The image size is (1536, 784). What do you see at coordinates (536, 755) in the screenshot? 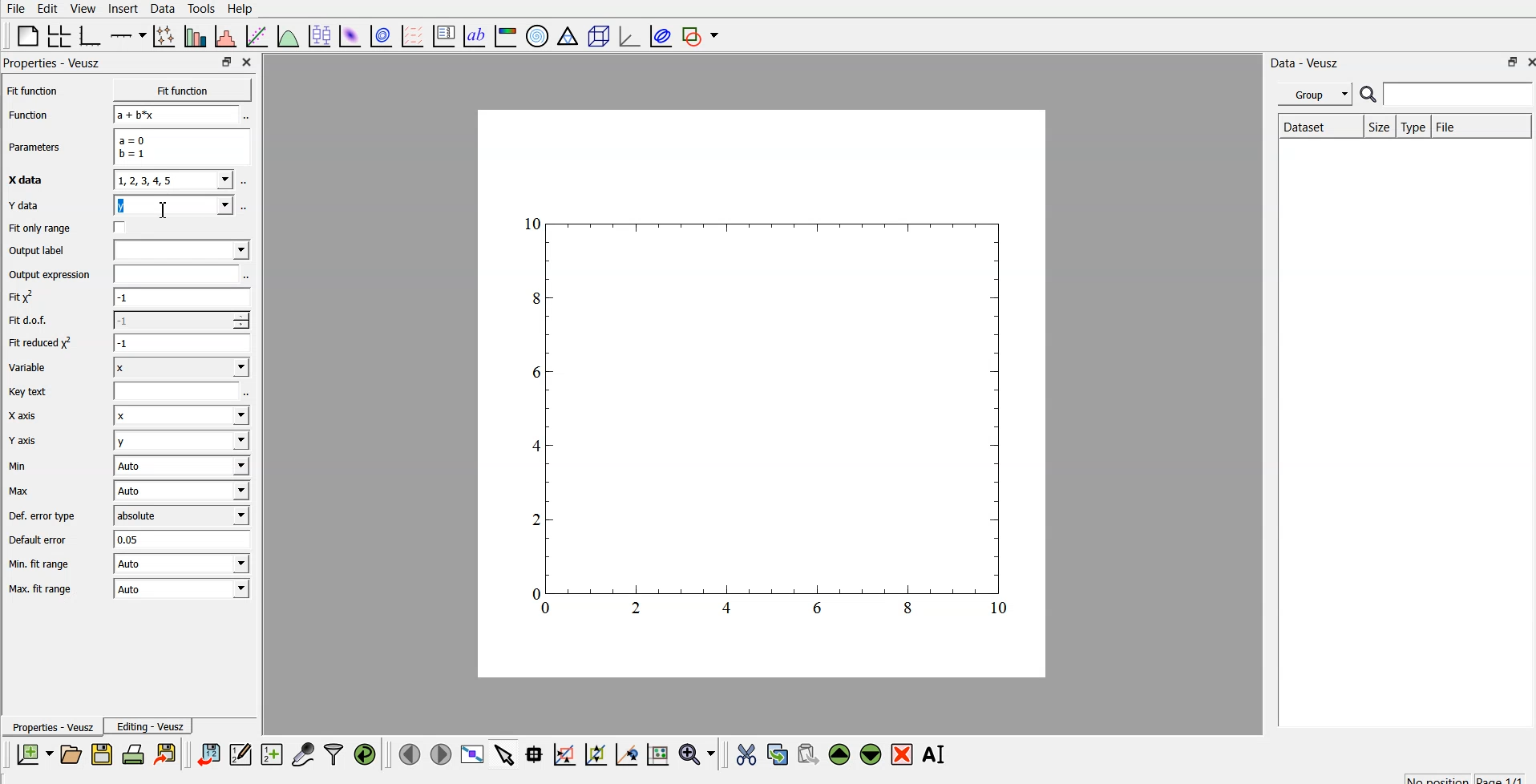
I see `read data points on the graph` at bounding box center [536, 755].